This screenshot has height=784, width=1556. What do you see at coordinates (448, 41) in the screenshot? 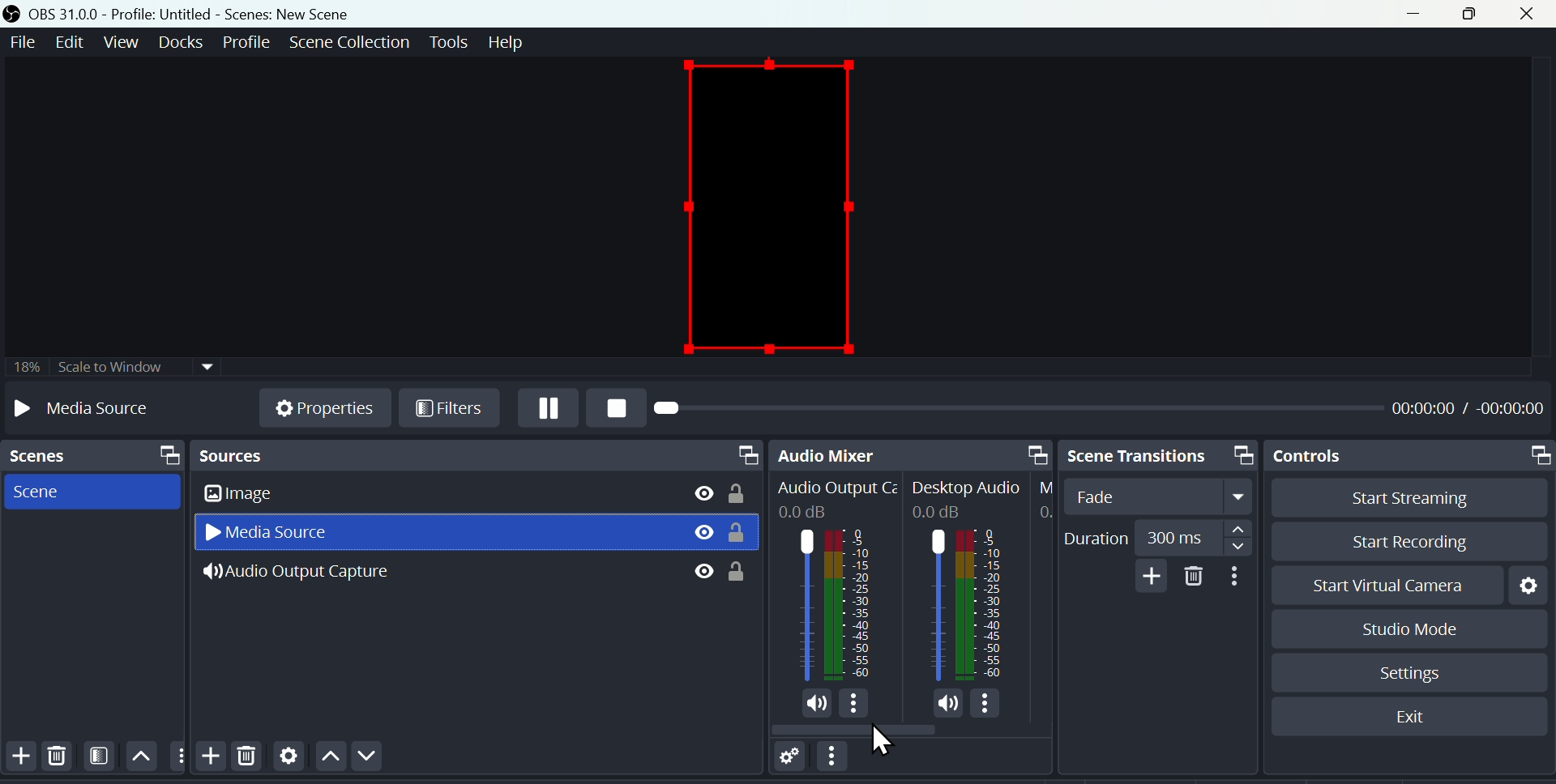
I see `Tools` at bounding box center [448, 41].